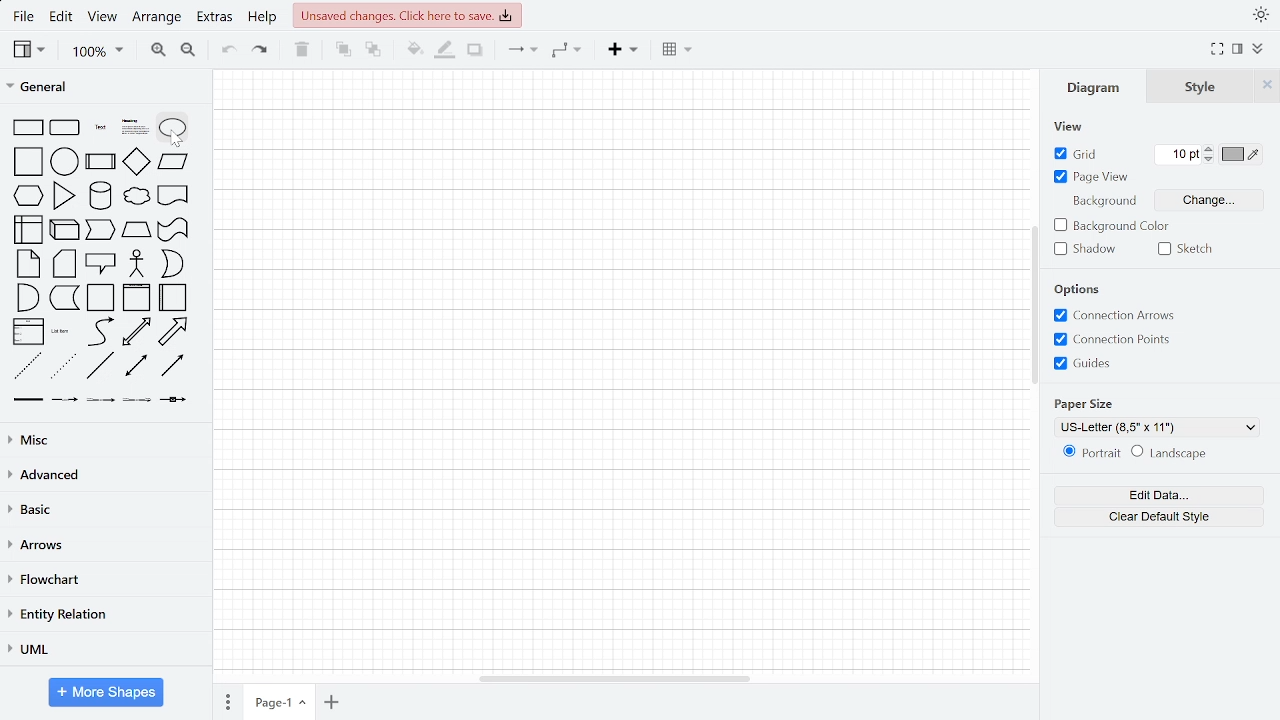  What do you see at coordinates (101, 263) in the screenshot?
I see `callout` at bounding box center [101, 263].